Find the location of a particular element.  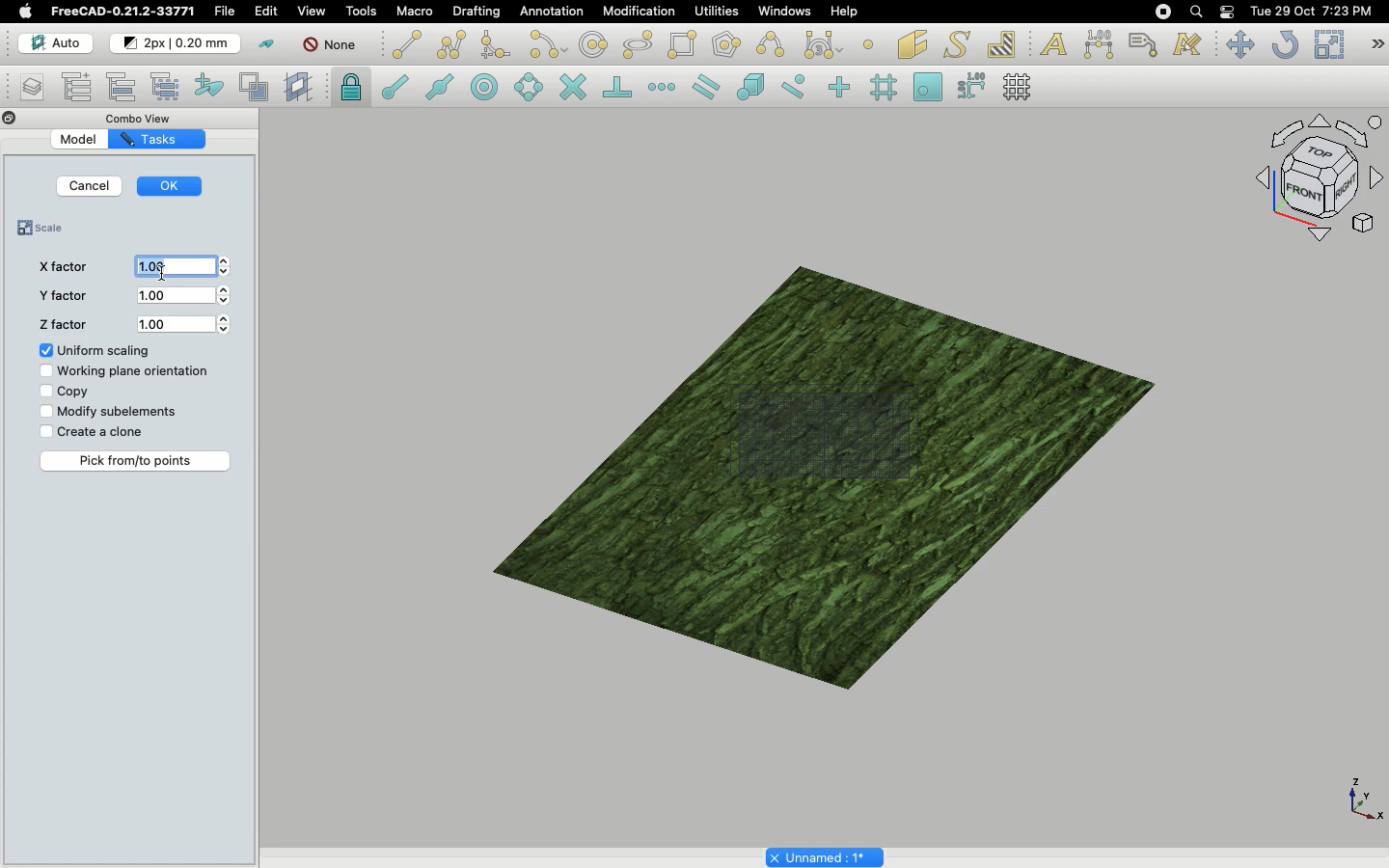

Apple logo is located at coordinates (25, 11).